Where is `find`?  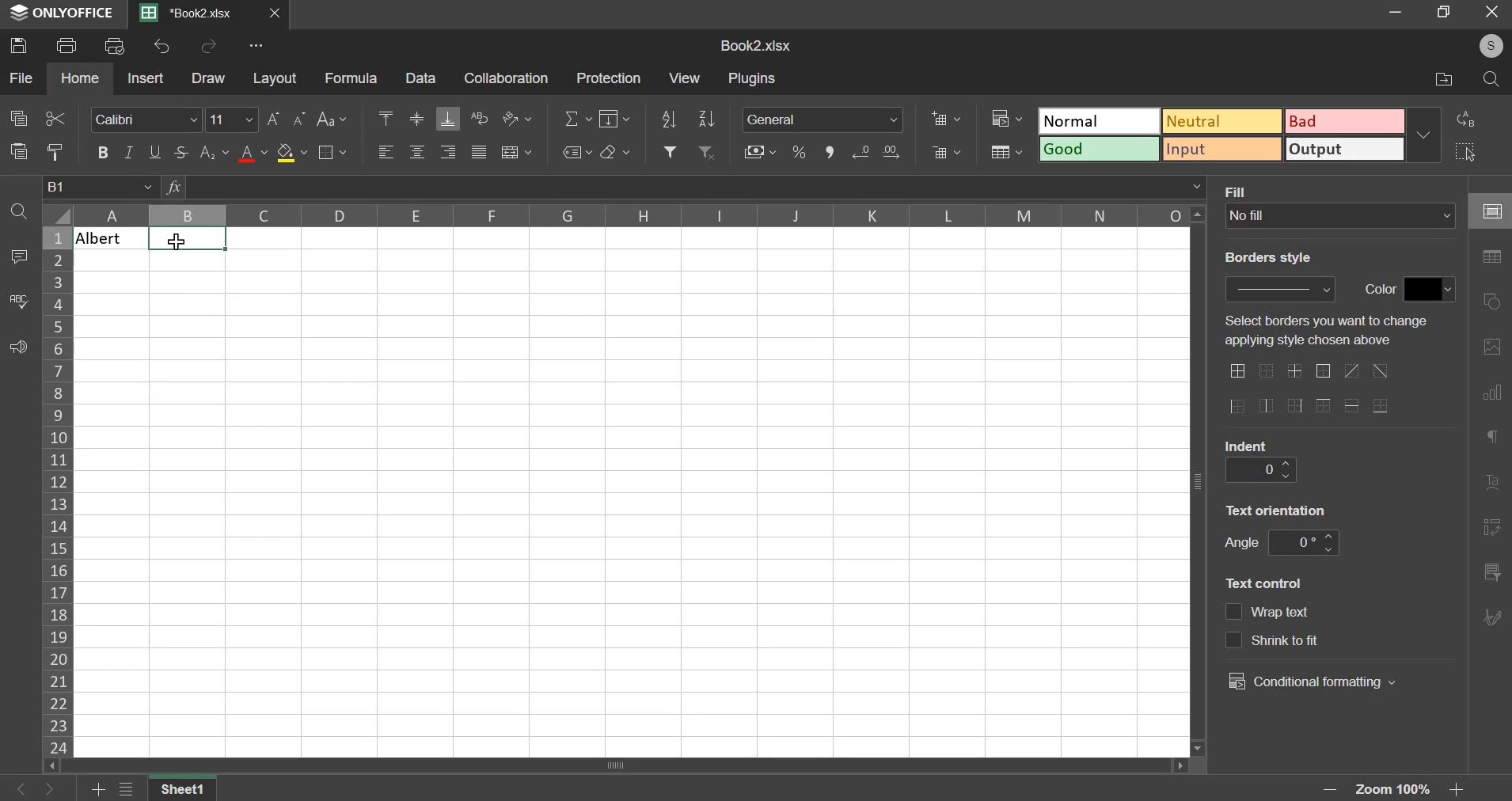 find is located at coordinates (18, 212).